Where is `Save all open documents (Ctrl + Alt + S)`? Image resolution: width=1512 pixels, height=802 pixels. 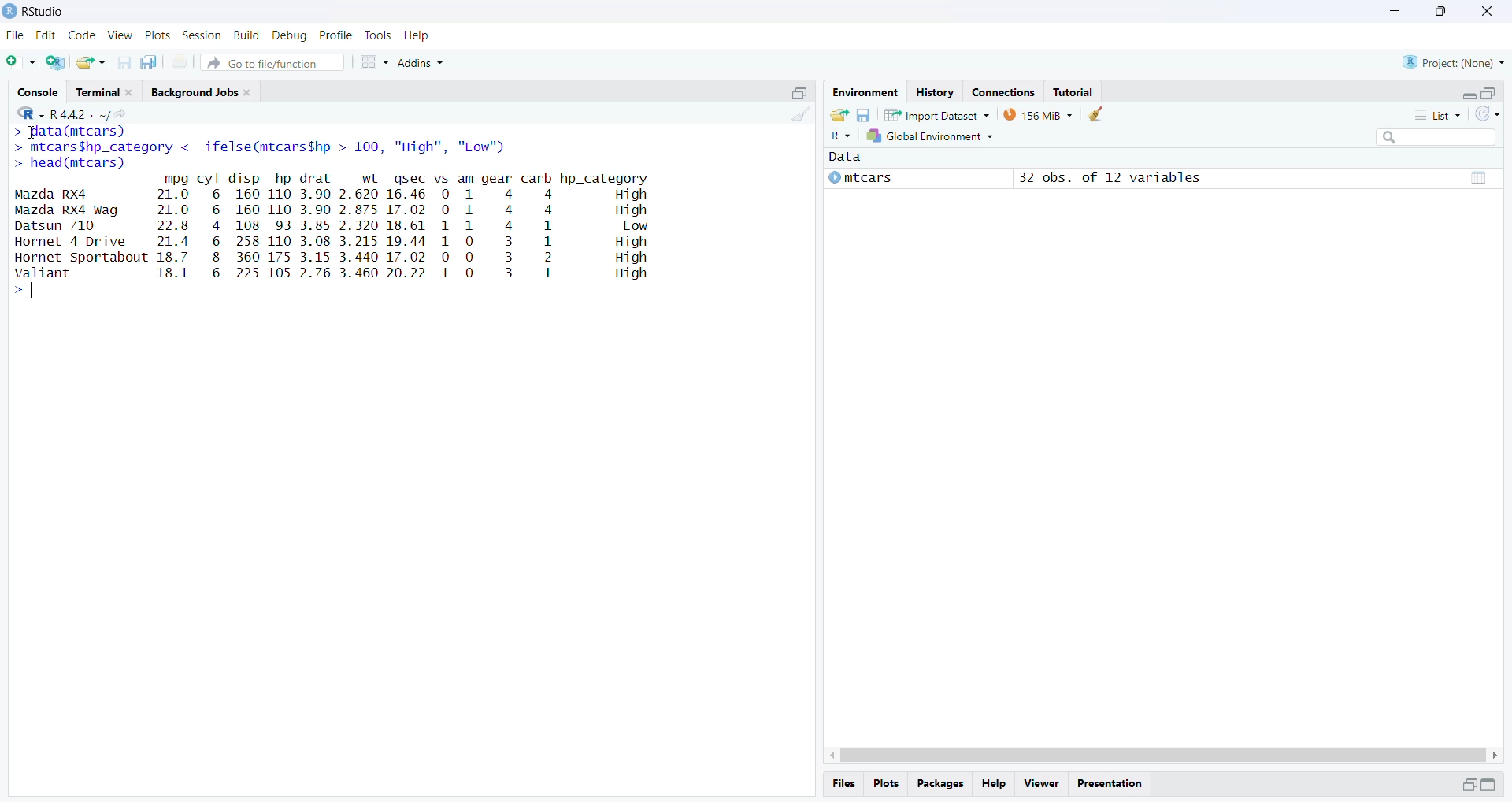 Save all open documents (Ctrl + Alt + S) is located at coordinates (154, 62).